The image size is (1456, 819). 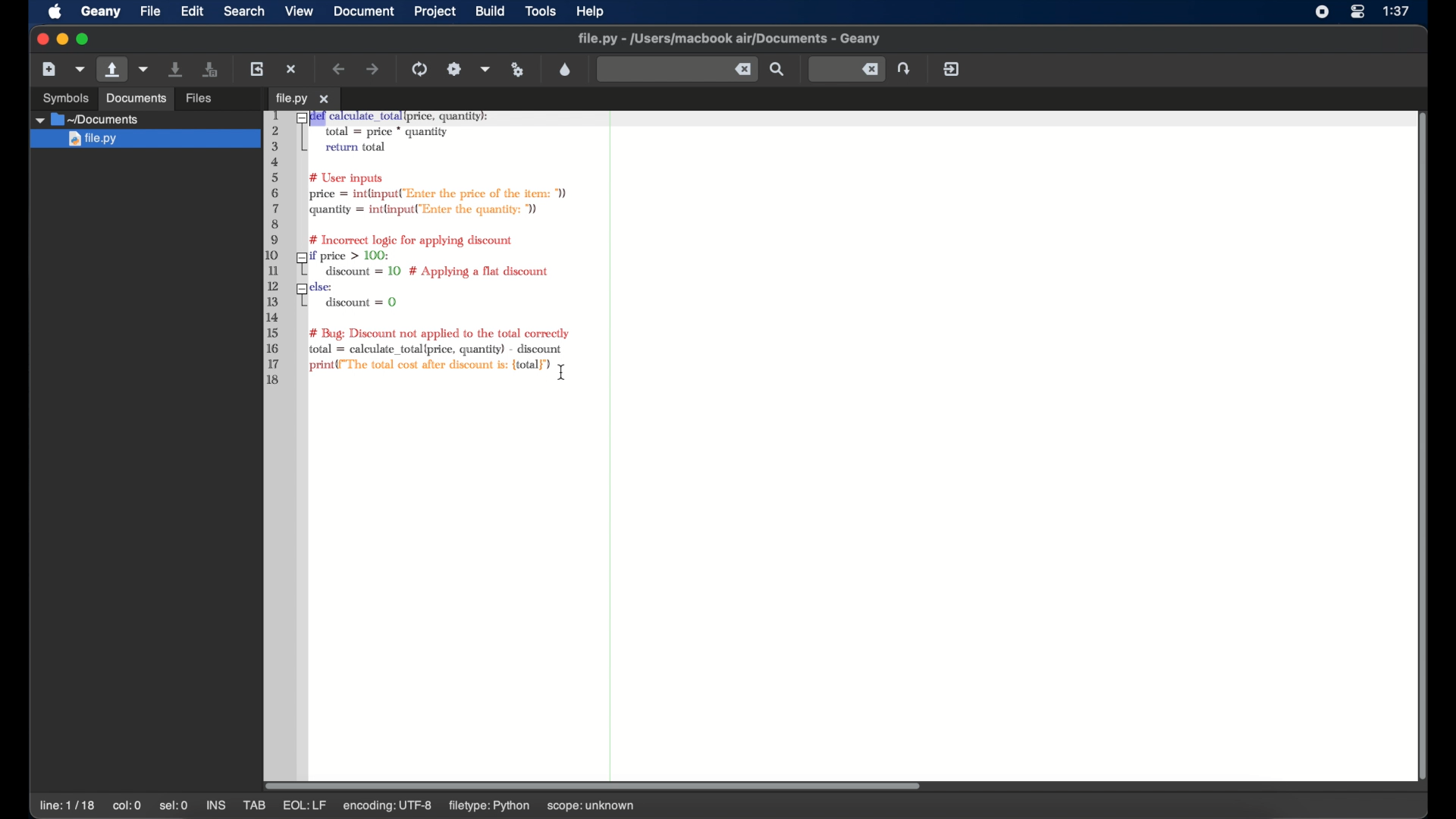 I want to click on encoding: utf-8, so click(x=393, y=807).